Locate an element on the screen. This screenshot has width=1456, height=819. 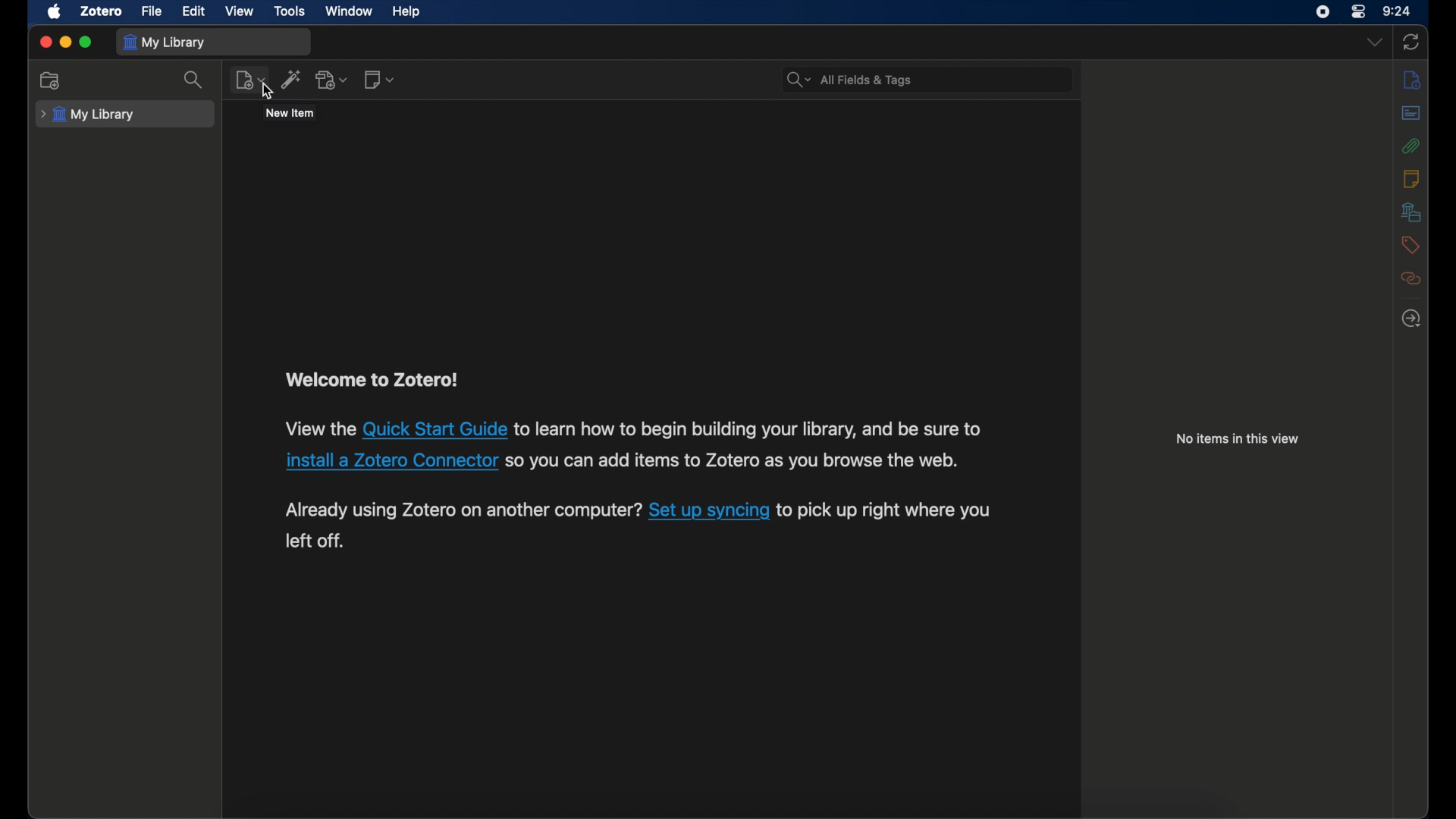
control center is located at coordinates (1359, 11).